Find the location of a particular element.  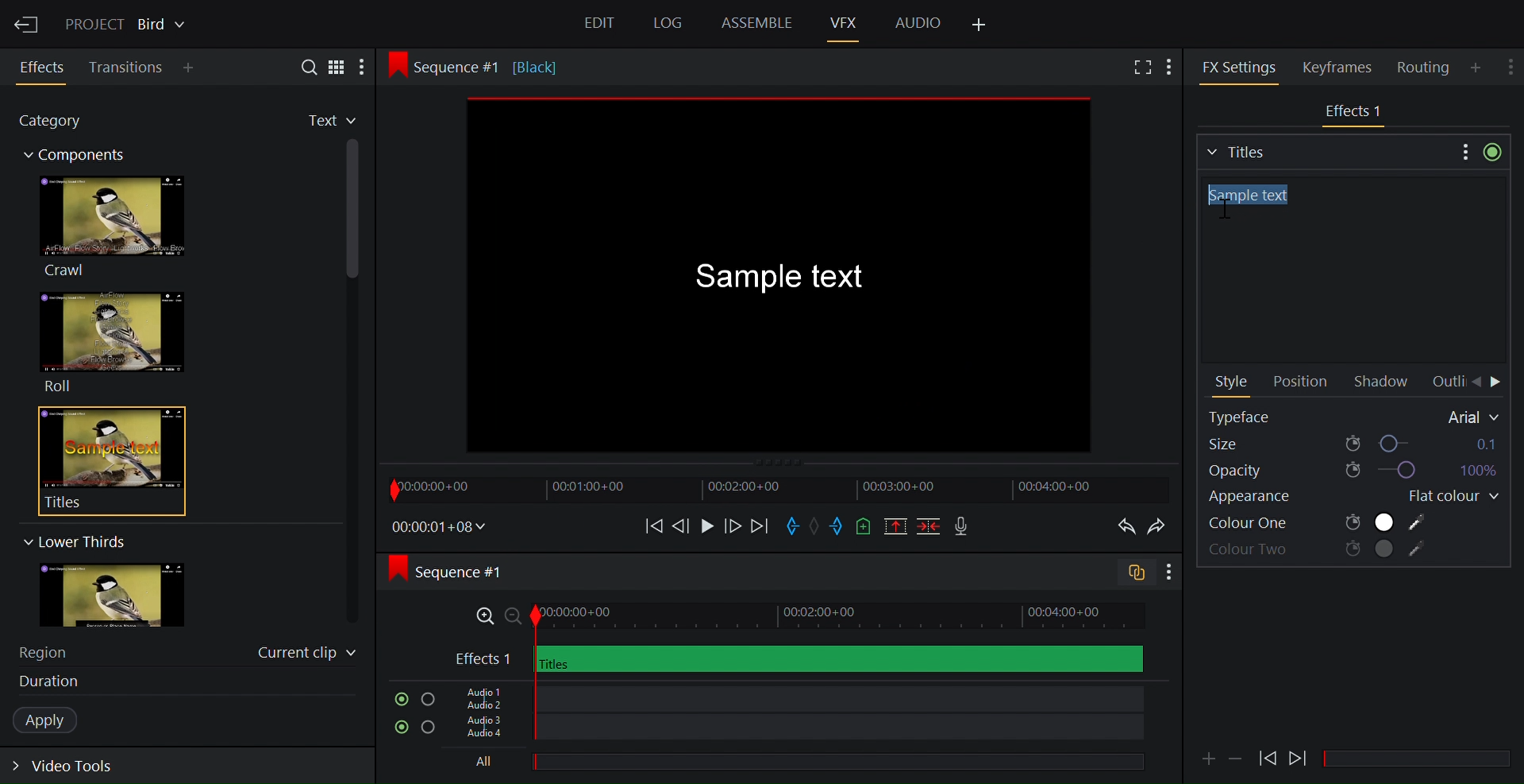

Zoom Timeline is located at coordinates (799, 617).